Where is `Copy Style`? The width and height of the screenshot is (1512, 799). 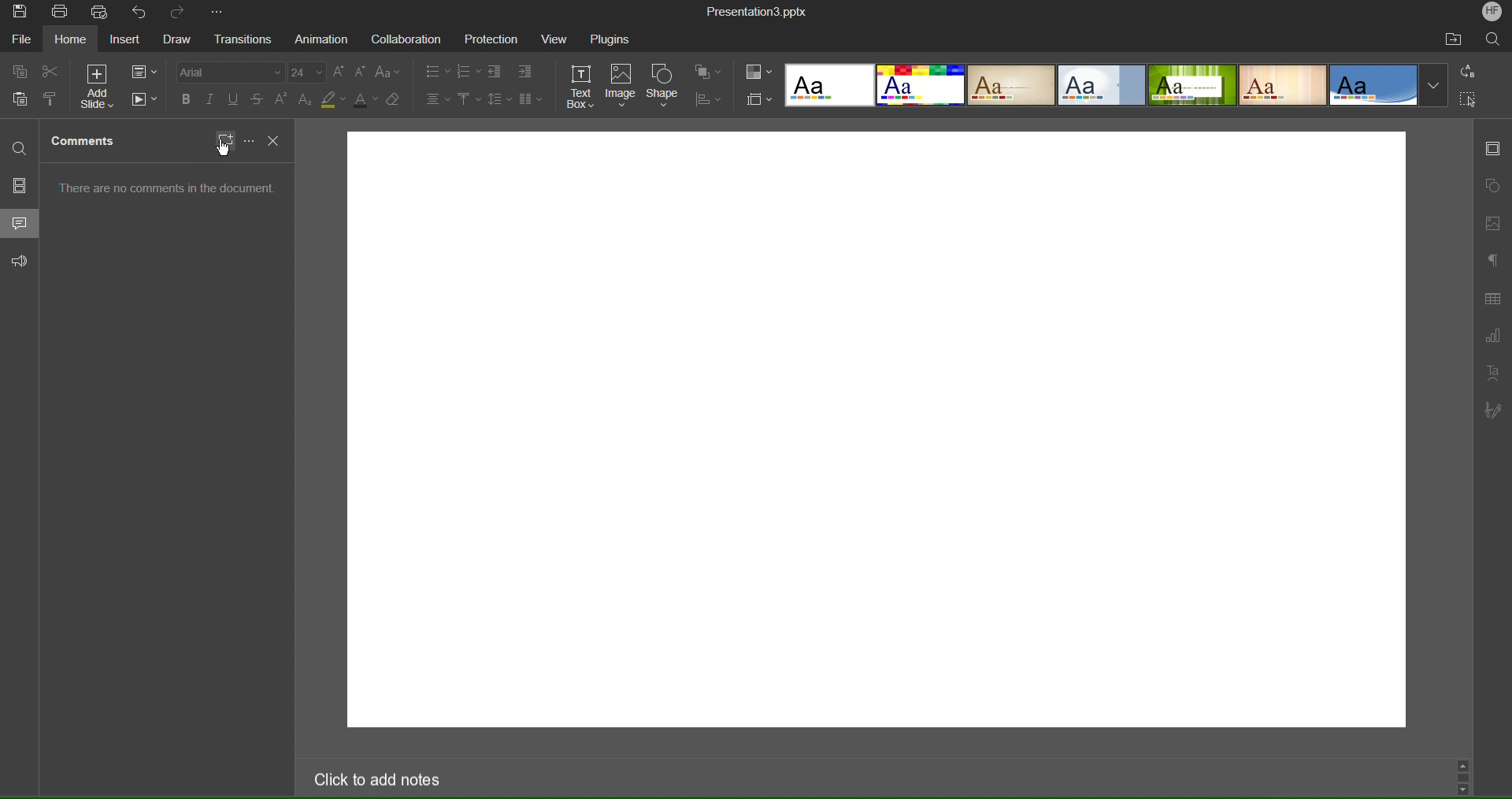 Copy Style is located at coordinates (49, 99).